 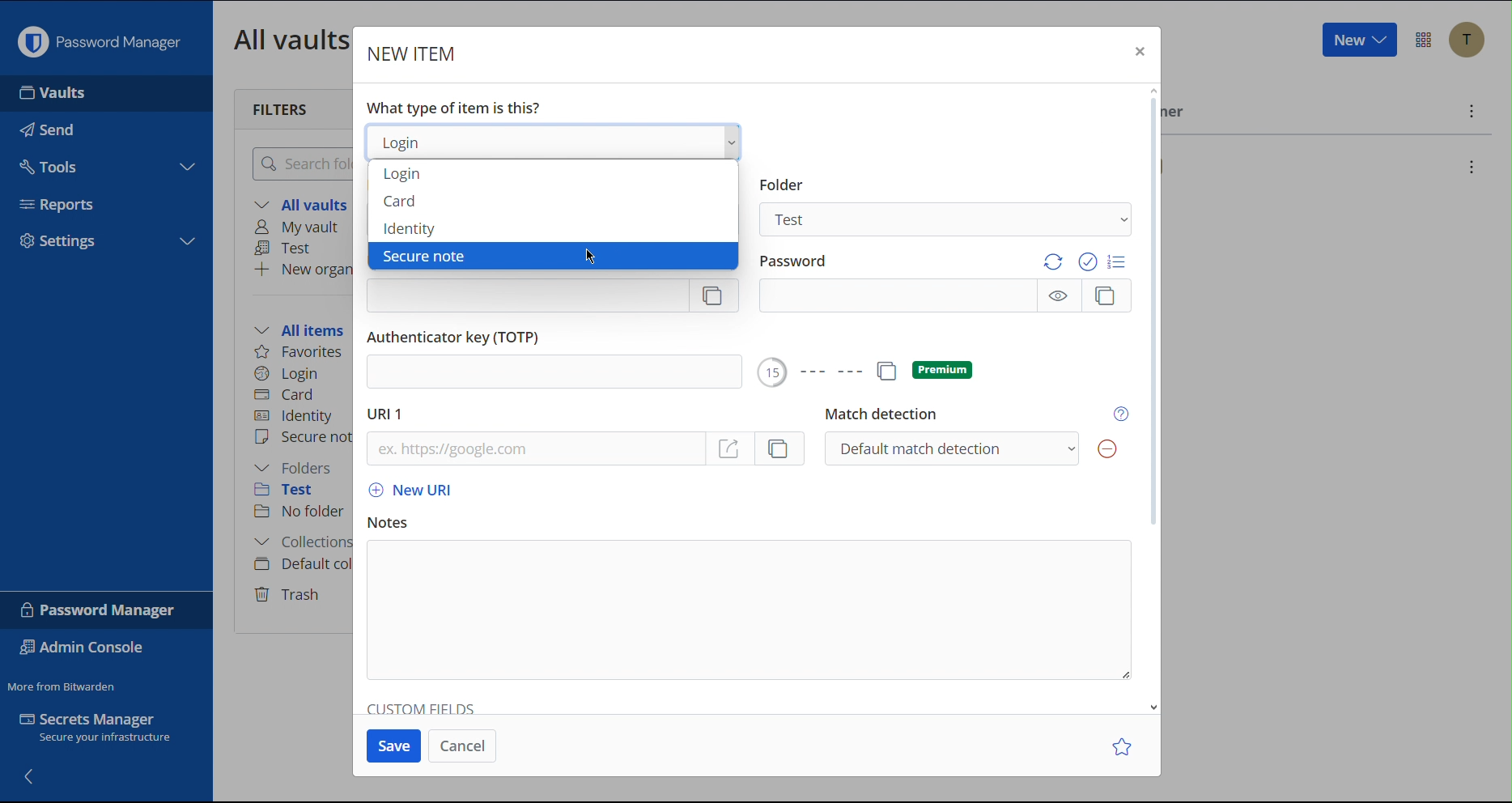 I want to click on Remove, so click(x=1106, y=449).